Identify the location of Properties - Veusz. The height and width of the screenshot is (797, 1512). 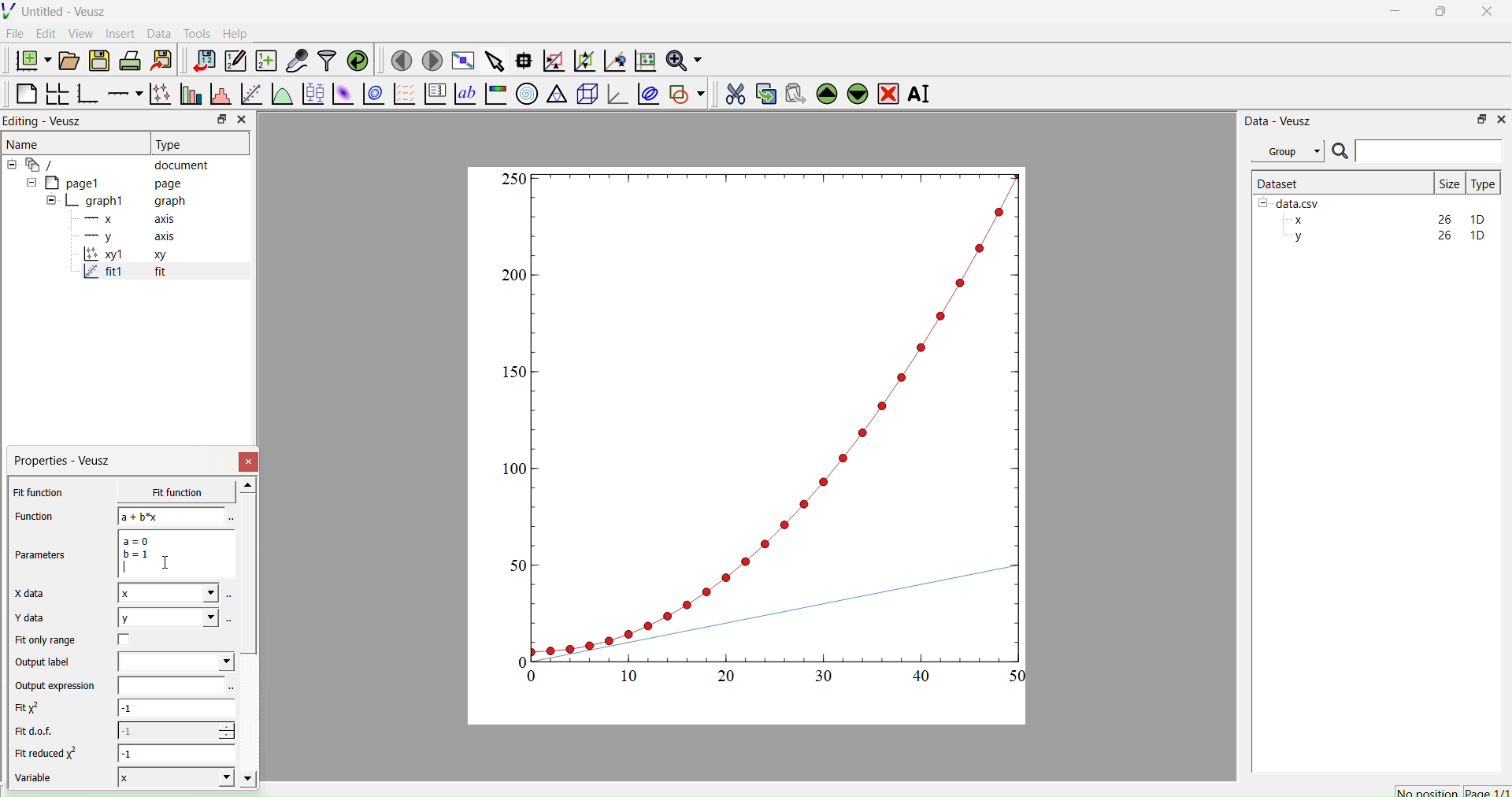
(66, 461).